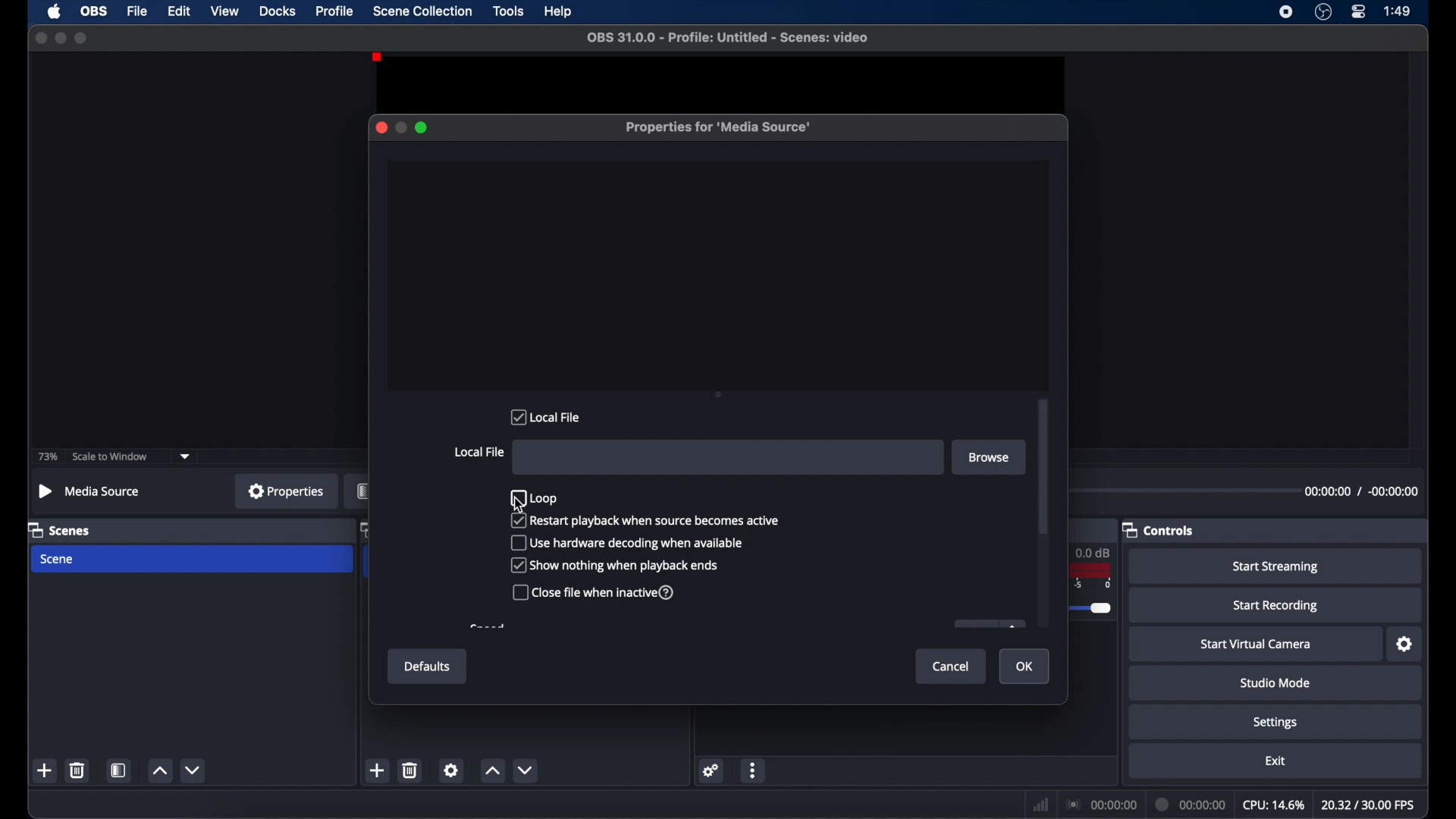 The image size is (1456, 819). What do you see at coordinates (1323, 12) in the screenshot?
I see `obs studio` at bounding box center [1323, 12].